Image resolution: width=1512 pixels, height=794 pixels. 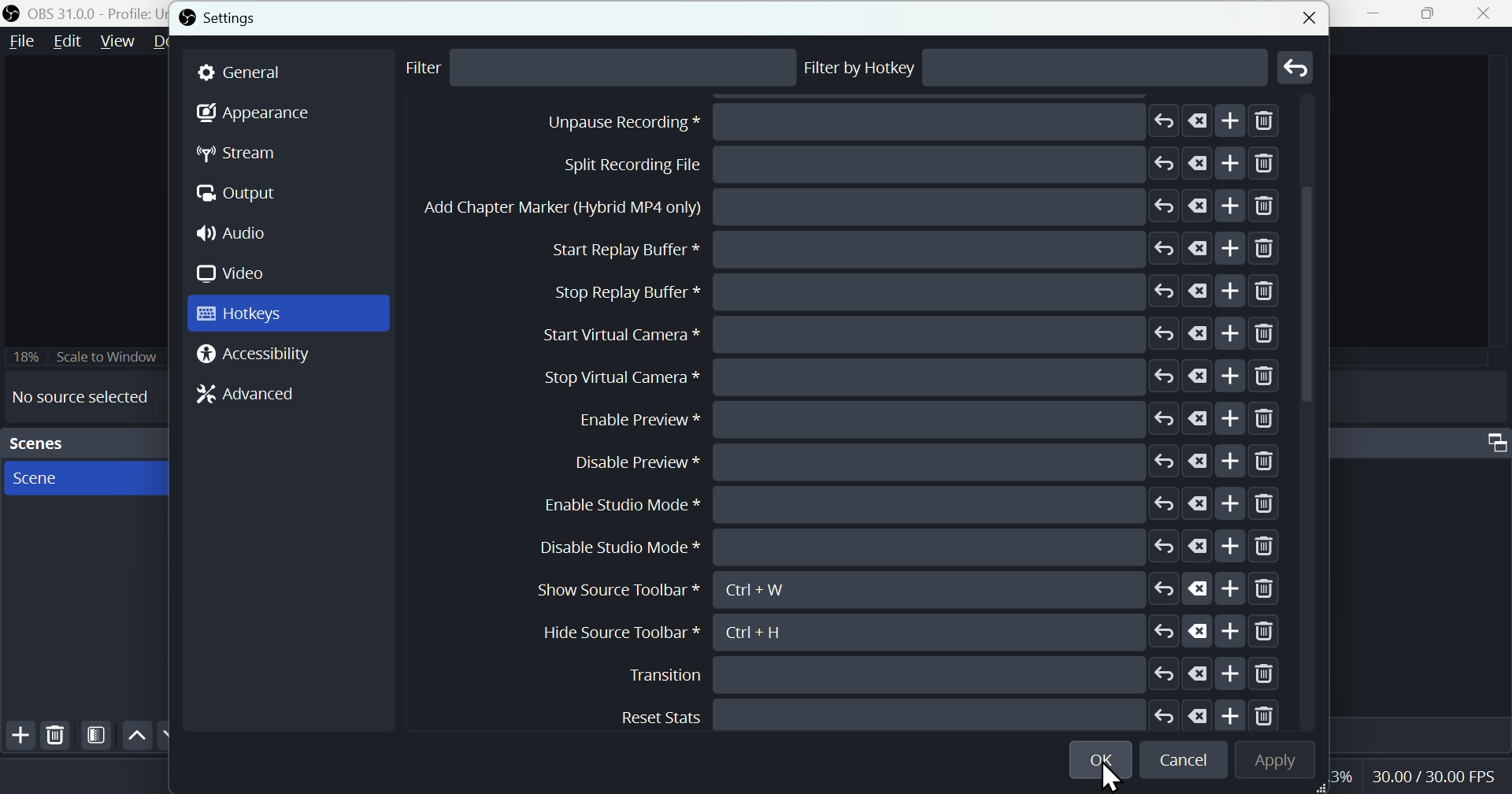 What do you see at coordinates (435, 69) in the screenshot?
I see `Filter` at bounding box center [435, 69].